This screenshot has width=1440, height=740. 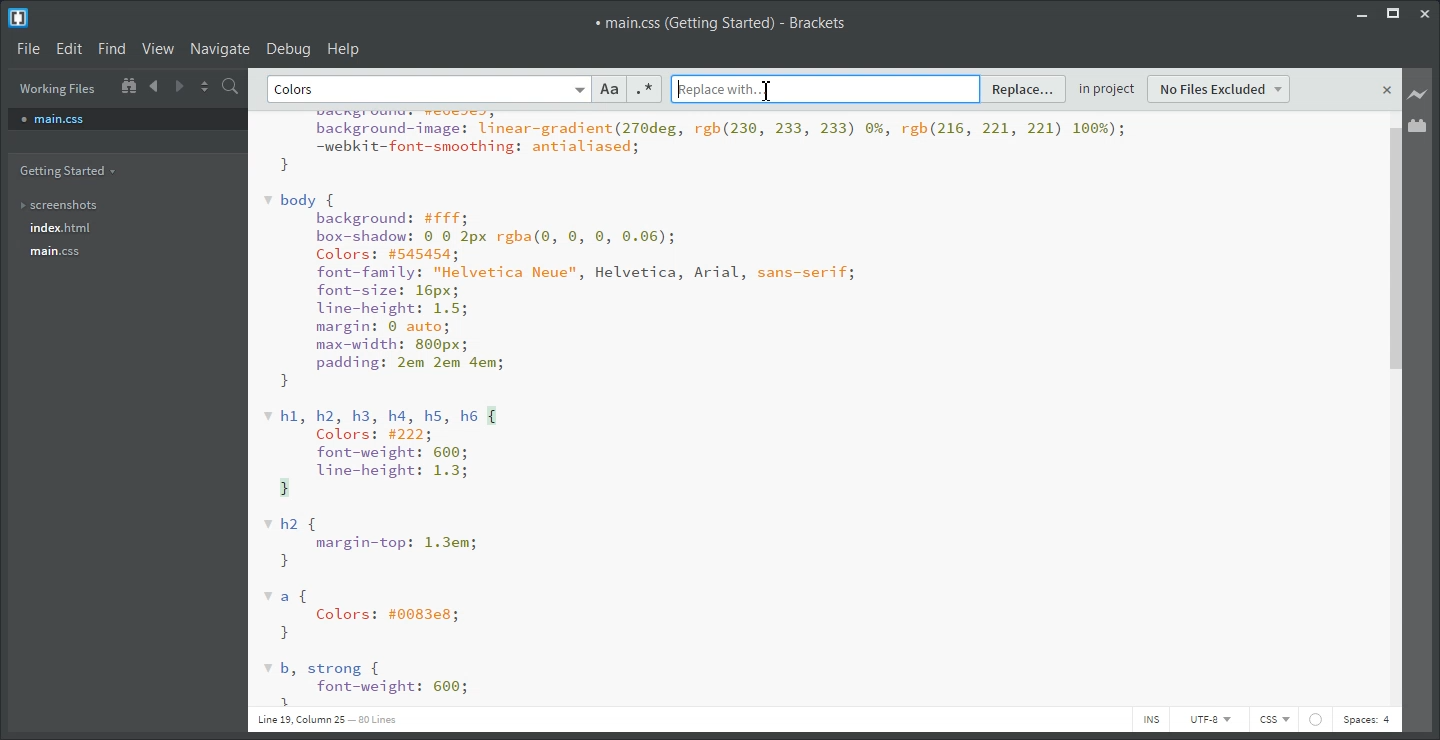 I want to click on INS, so click(x=1150, y=719).